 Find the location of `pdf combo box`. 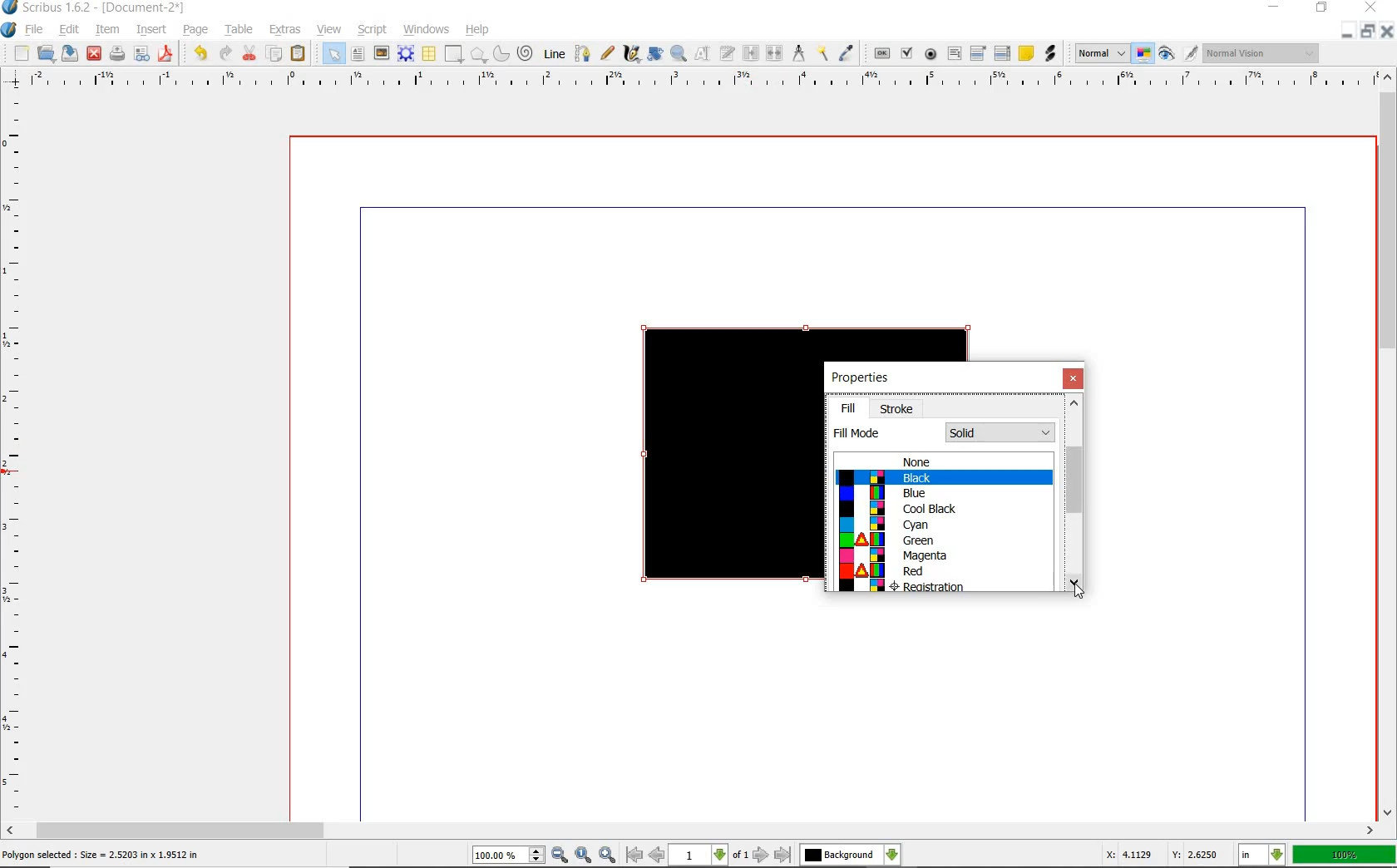

pdf combo box is located at coordinates (978, 54).